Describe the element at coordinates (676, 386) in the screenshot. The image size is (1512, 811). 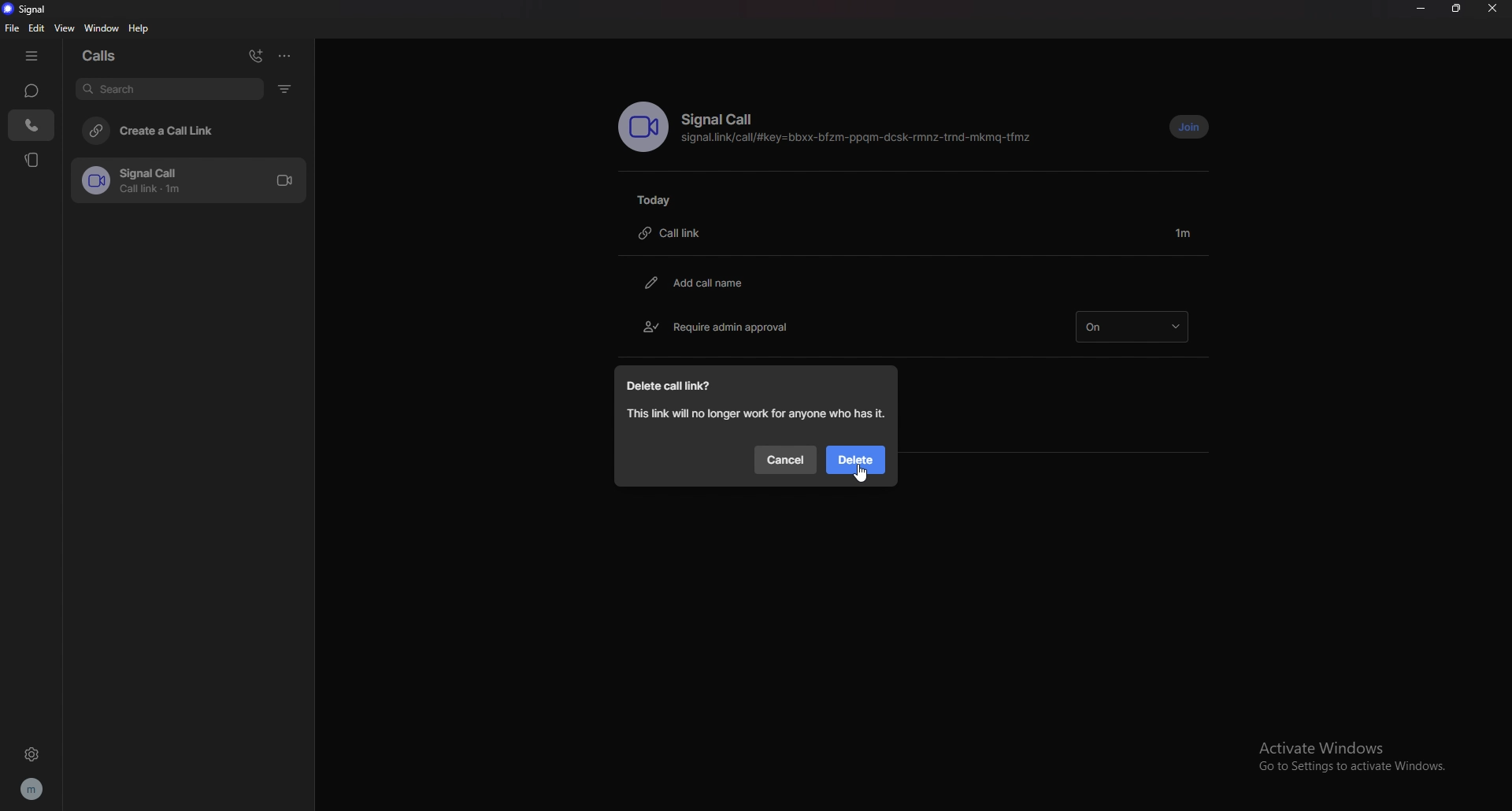
I see `delete call link` at that location.